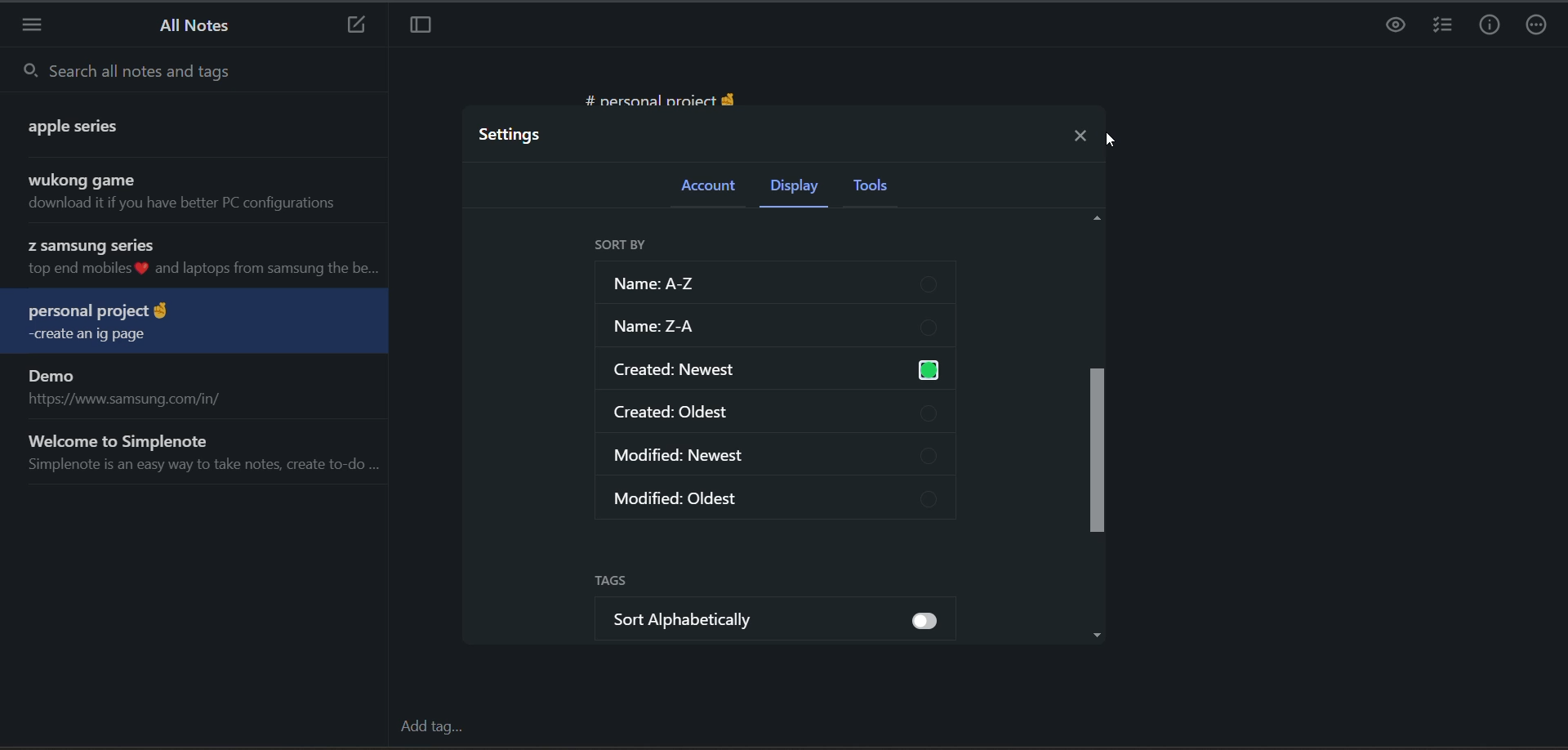  What do you see at coordinates (1492, 28) in the screenshot?
I see `info` at bounding box center [1492, 28].